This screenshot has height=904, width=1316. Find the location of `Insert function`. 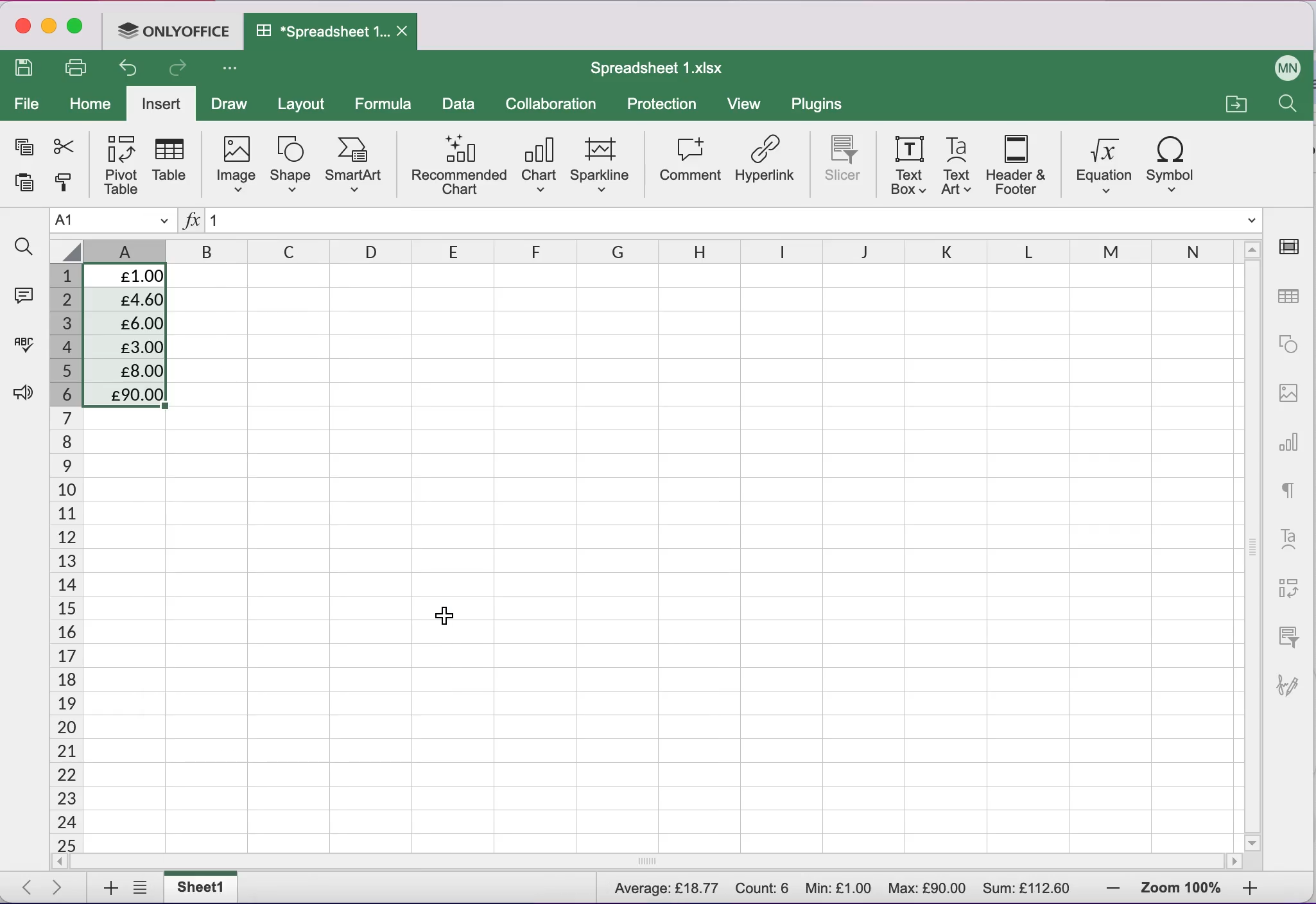

Insert function is located at coordinates (193, 220).